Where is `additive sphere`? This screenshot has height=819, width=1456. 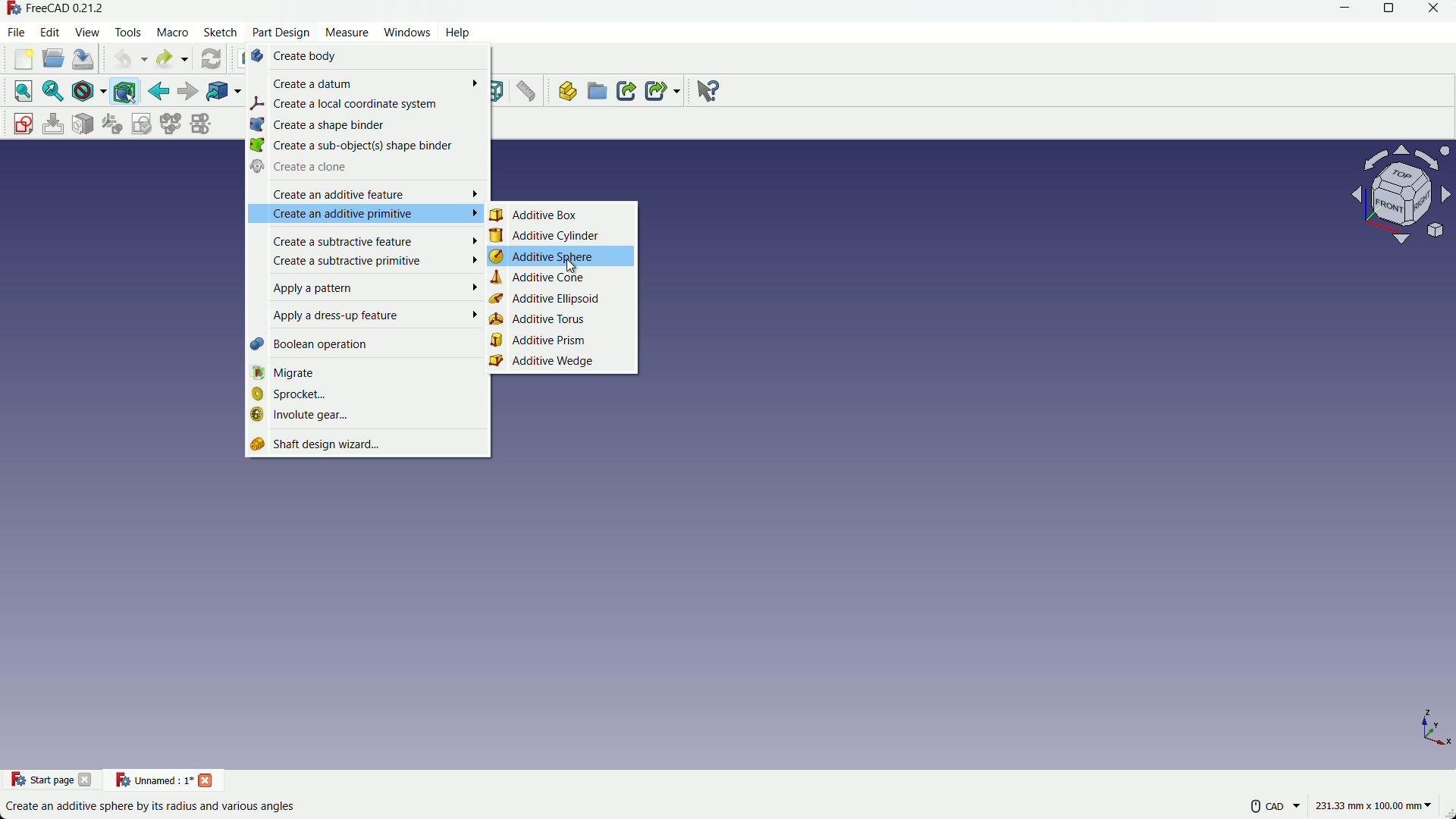
additive sphere is located at coordinates (562, 256).